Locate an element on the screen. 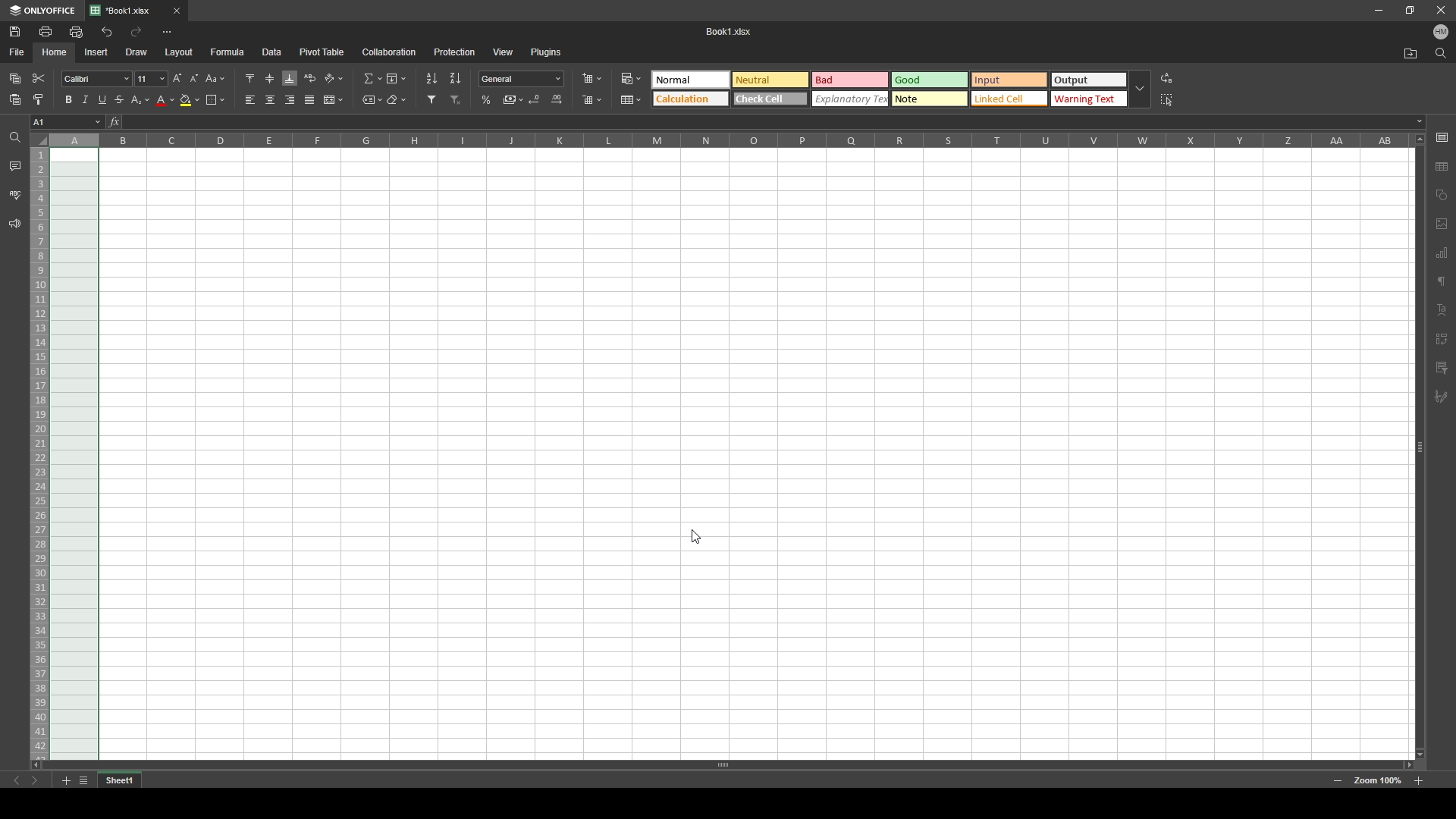 Image resolution: width=1456 pixels, height=819 pixels. subscript is located at coordinates (141, 99).